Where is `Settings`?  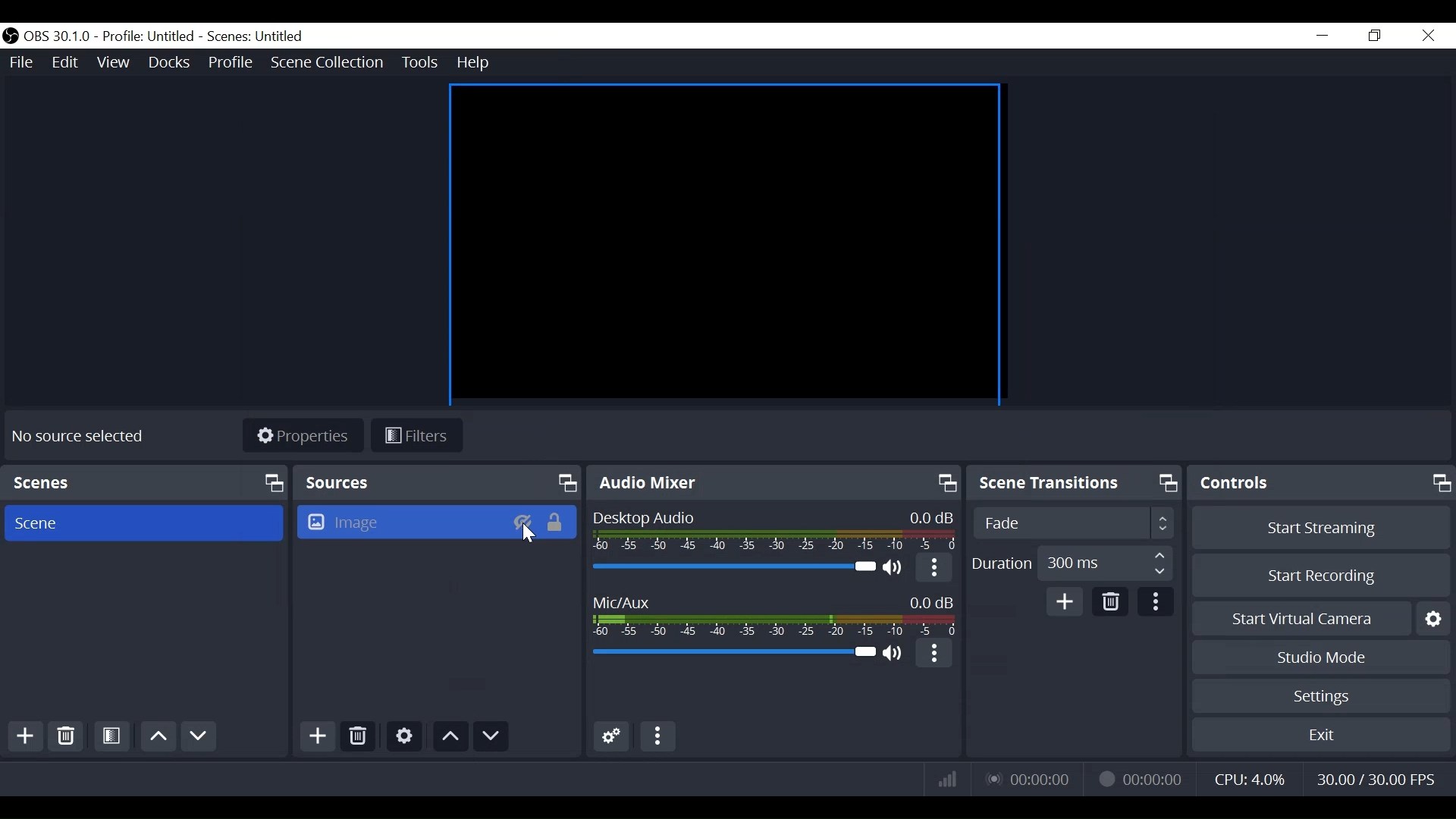
Settings is located at coordinates (1319, 698).